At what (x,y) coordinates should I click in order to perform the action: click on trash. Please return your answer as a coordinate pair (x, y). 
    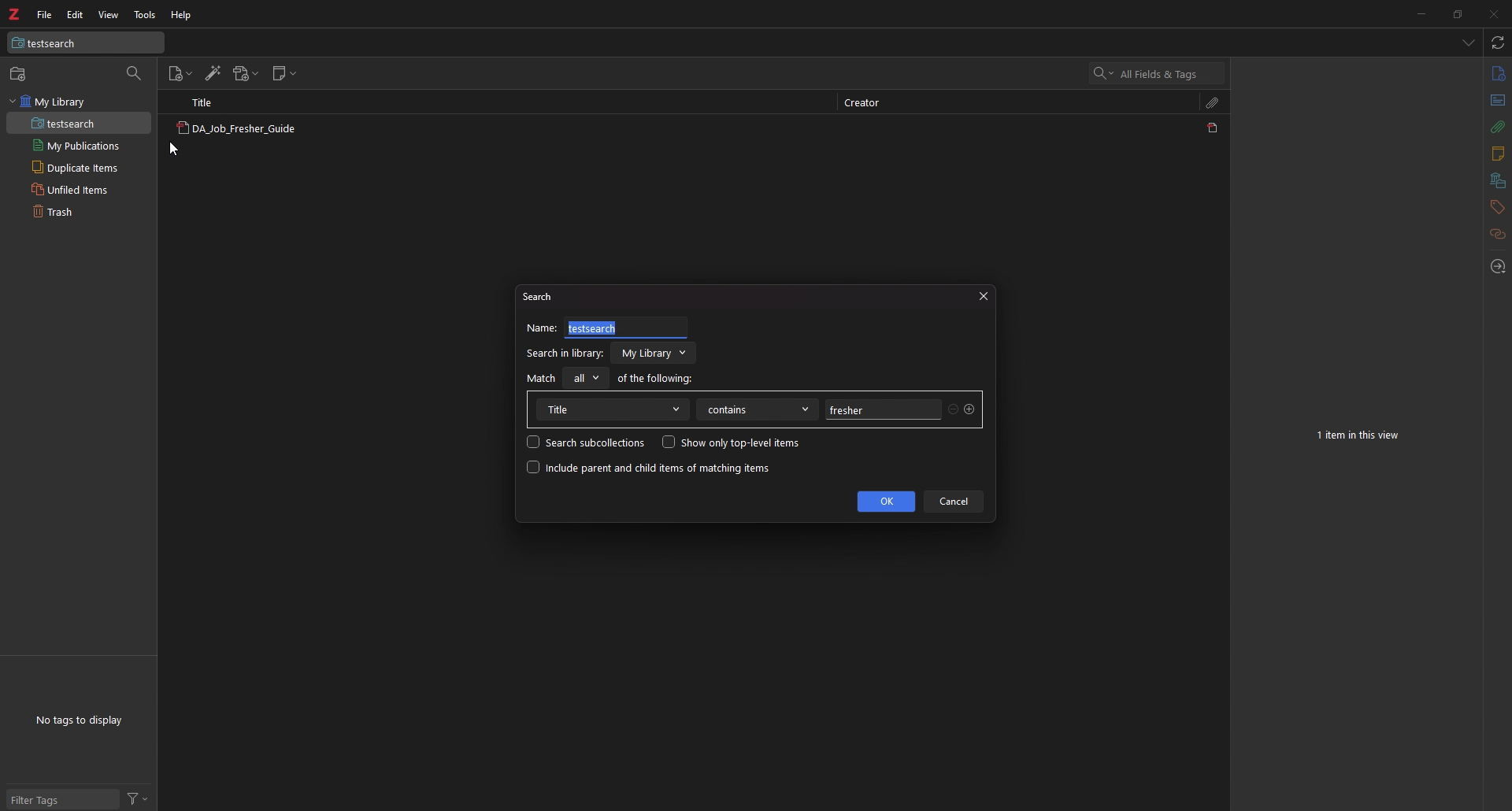
    Looking at the image, I should click on (78, 210).